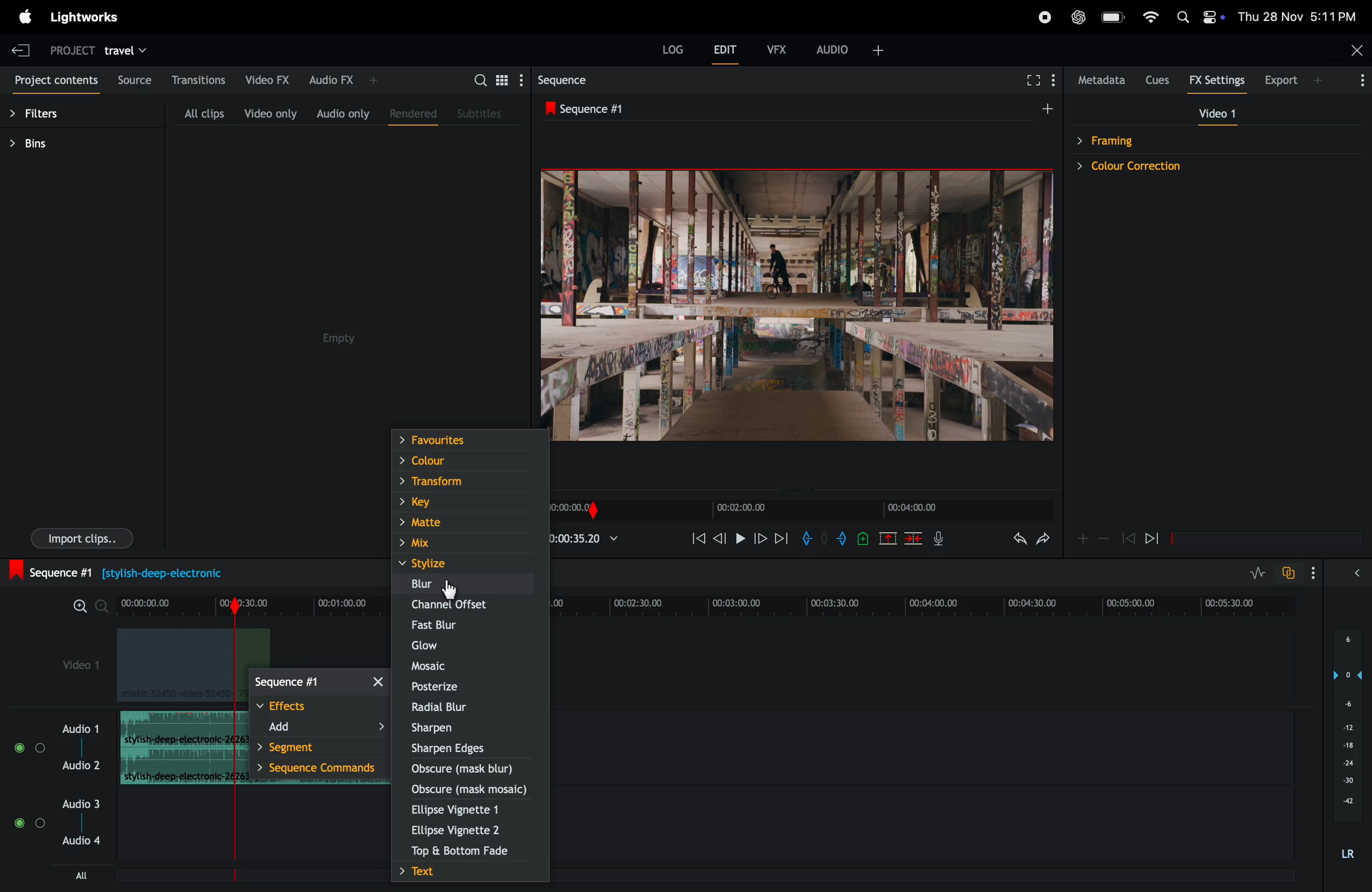 This screenshot has width=1372, height=892. What do you see at coordinates (203, 112) in the screenshot?
I see `all clips` at bounding box center [203, 112].